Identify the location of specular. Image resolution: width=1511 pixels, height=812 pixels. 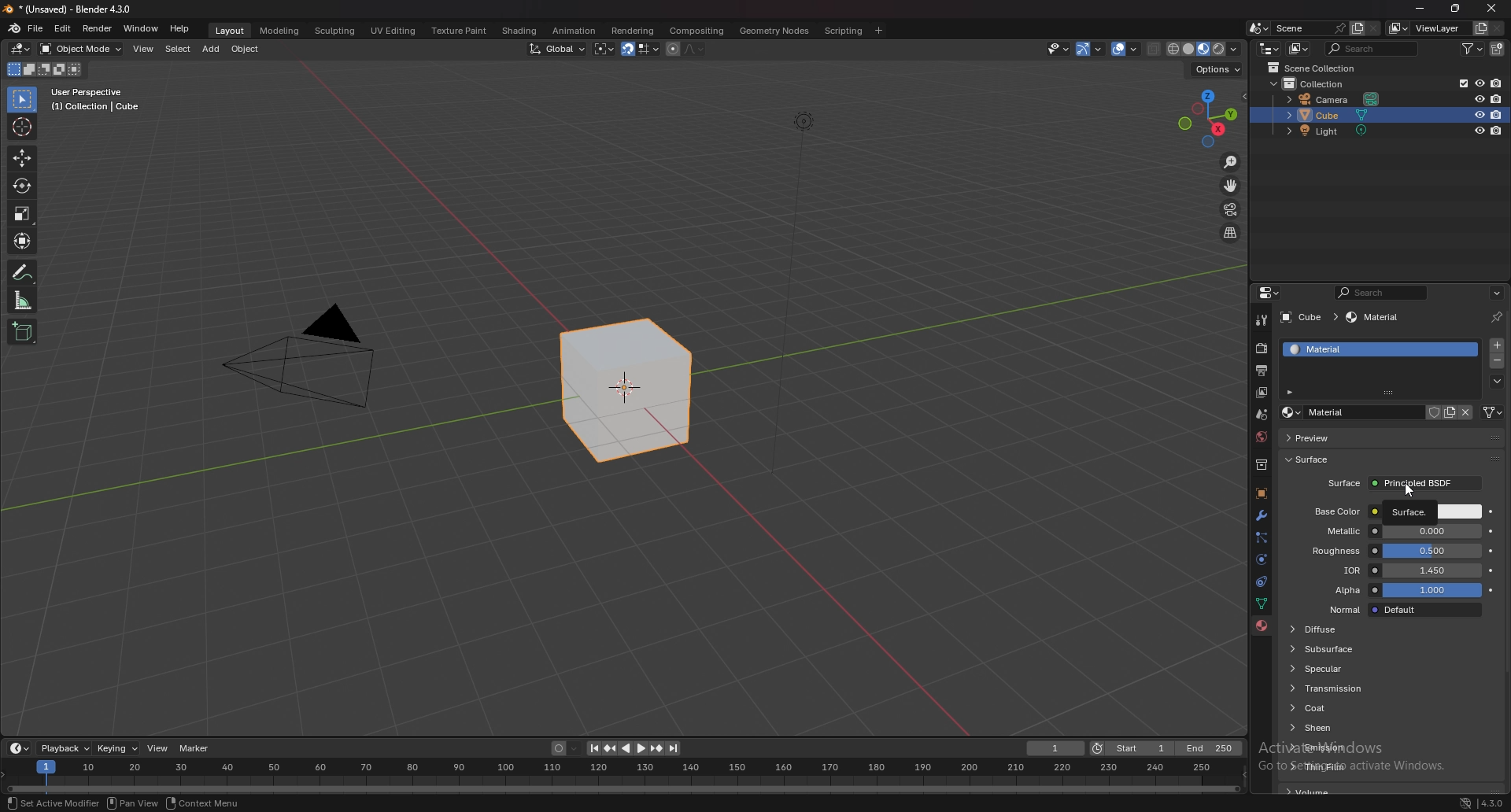
(1337, 668).